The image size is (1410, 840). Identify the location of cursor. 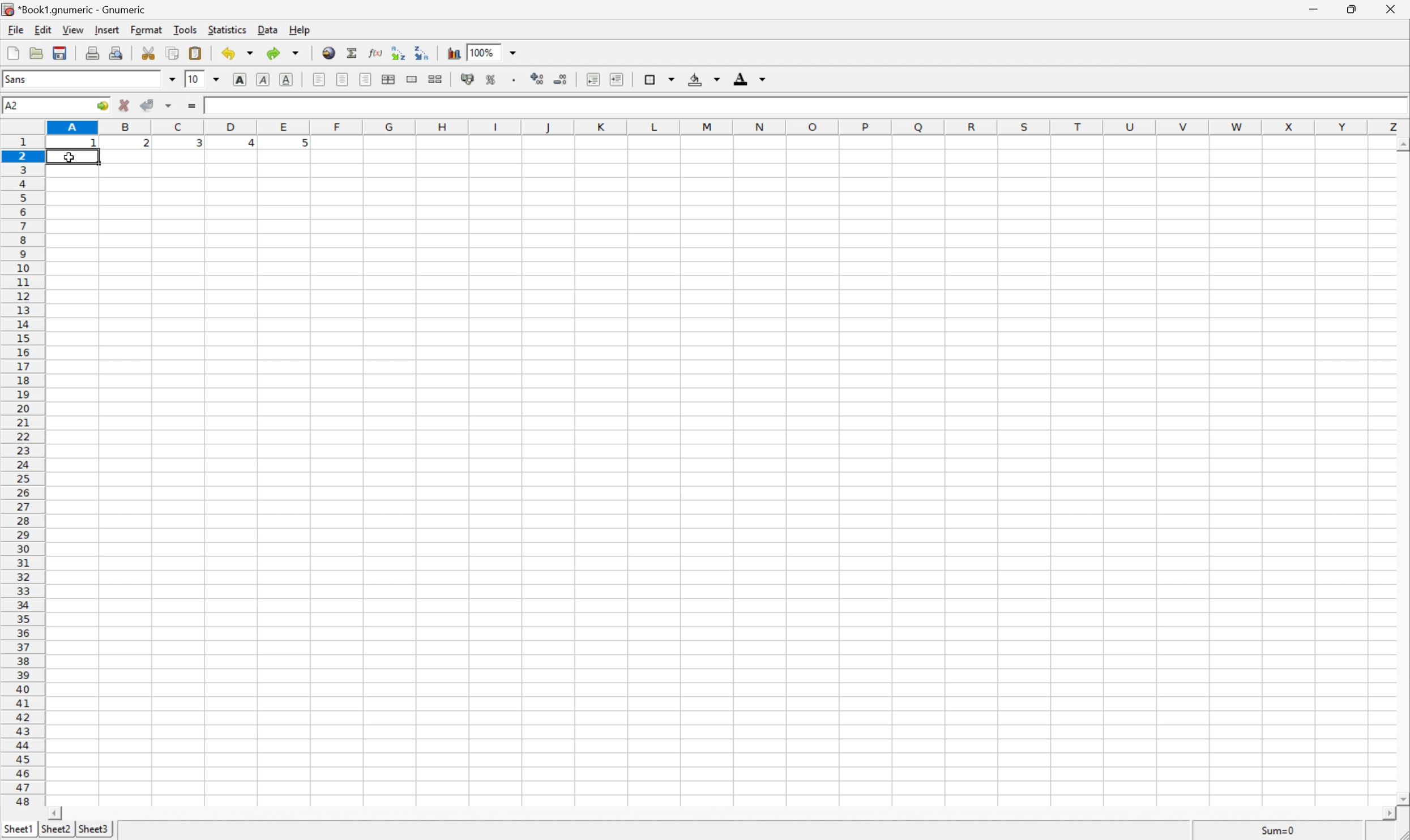
(67, 158).